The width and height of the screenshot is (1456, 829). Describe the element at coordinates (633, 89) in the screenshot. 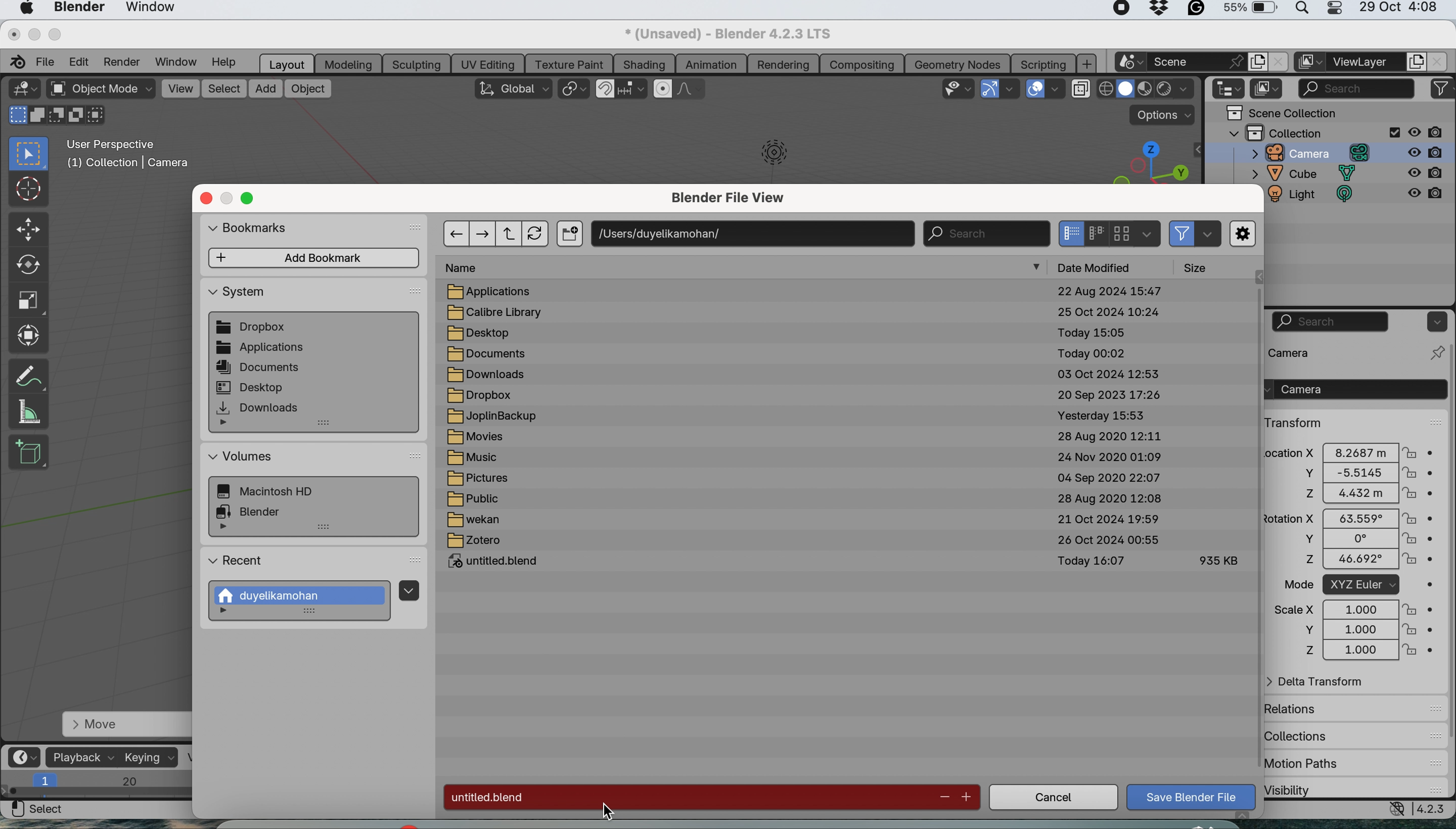

I see `snapping` at that location.